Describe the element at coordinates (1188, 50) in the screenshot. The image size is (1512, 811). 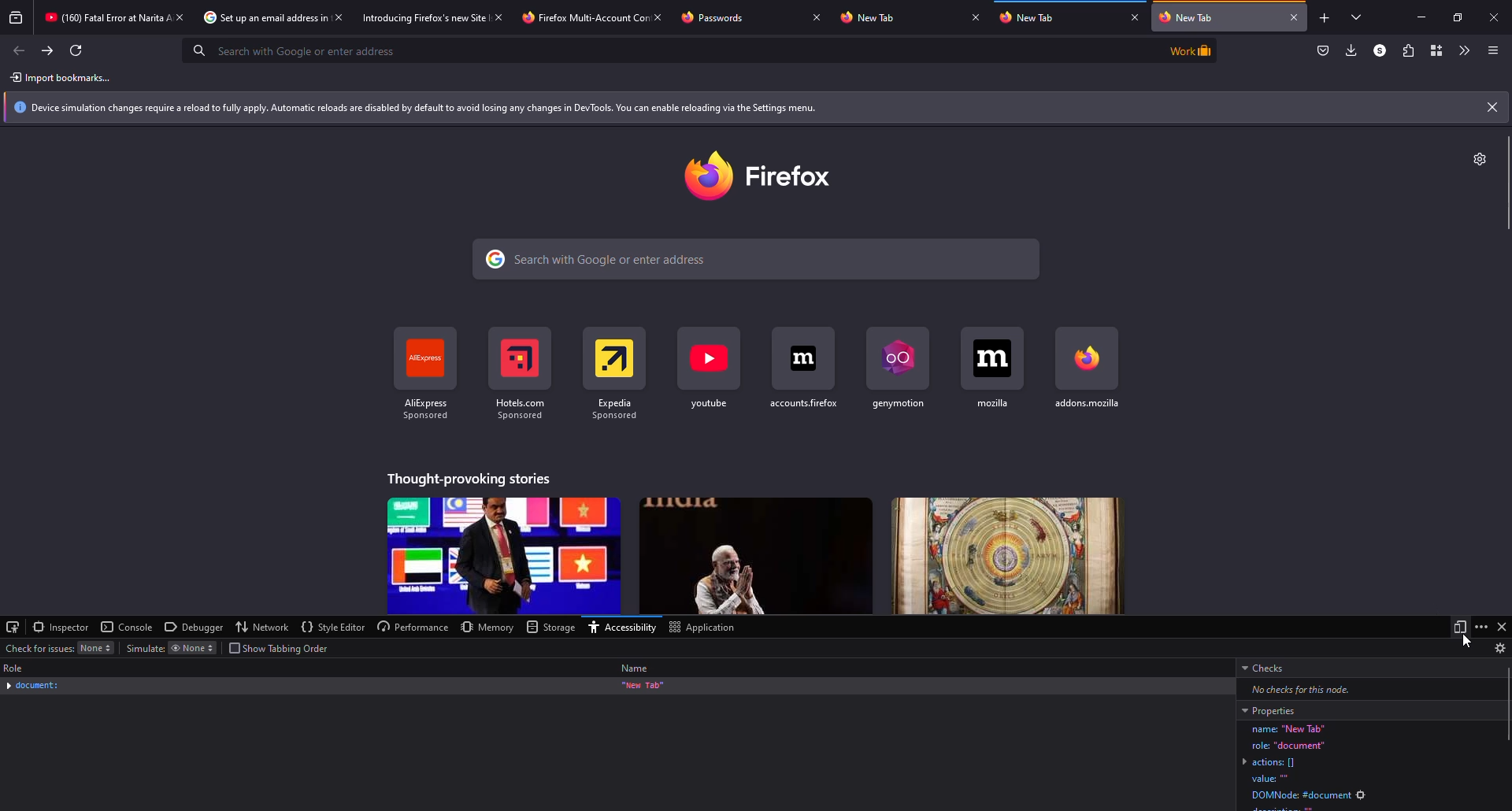
I see `work` at that location.